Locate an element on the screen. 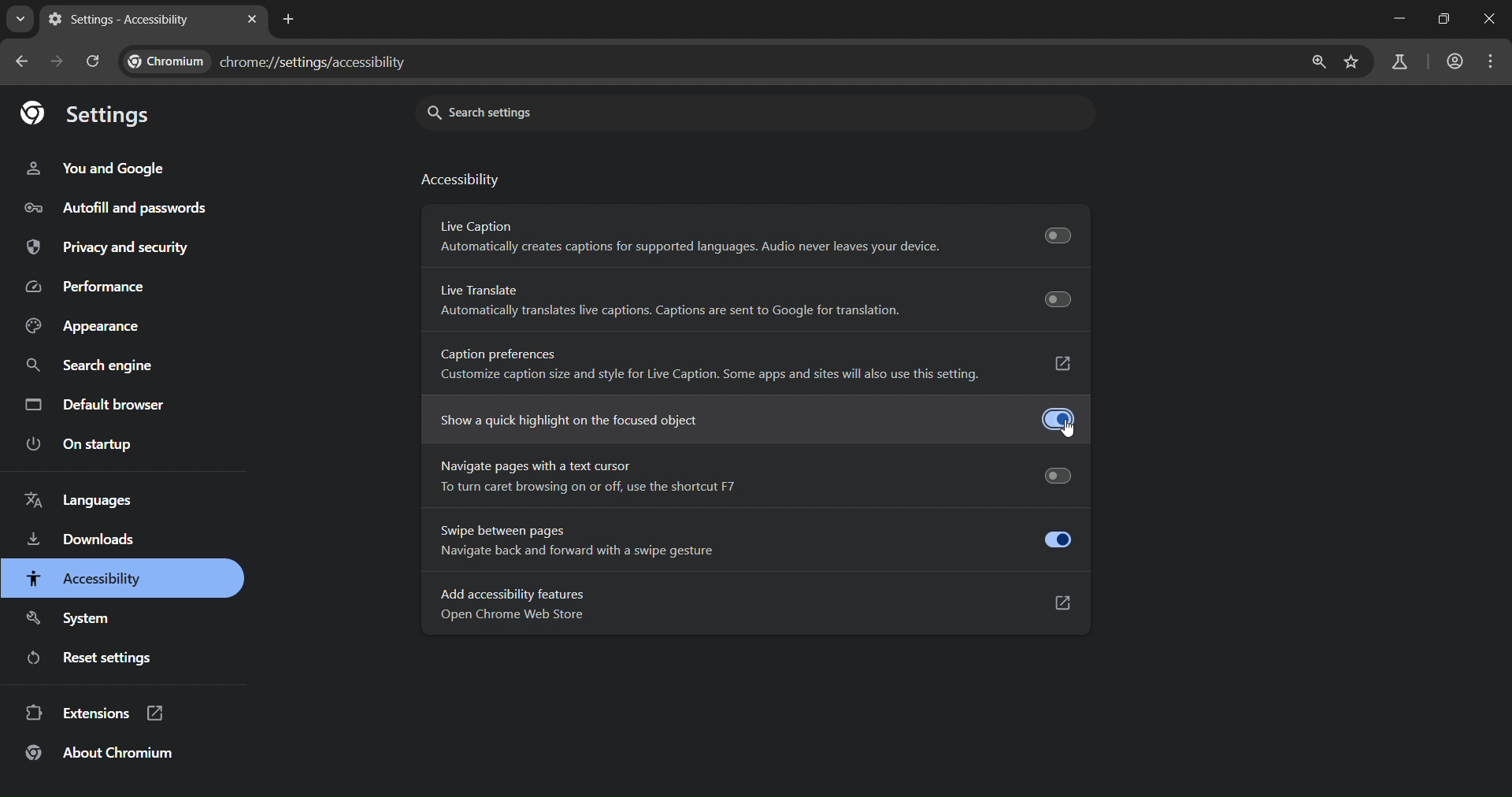  you and google is located at coordinates (98, 169).